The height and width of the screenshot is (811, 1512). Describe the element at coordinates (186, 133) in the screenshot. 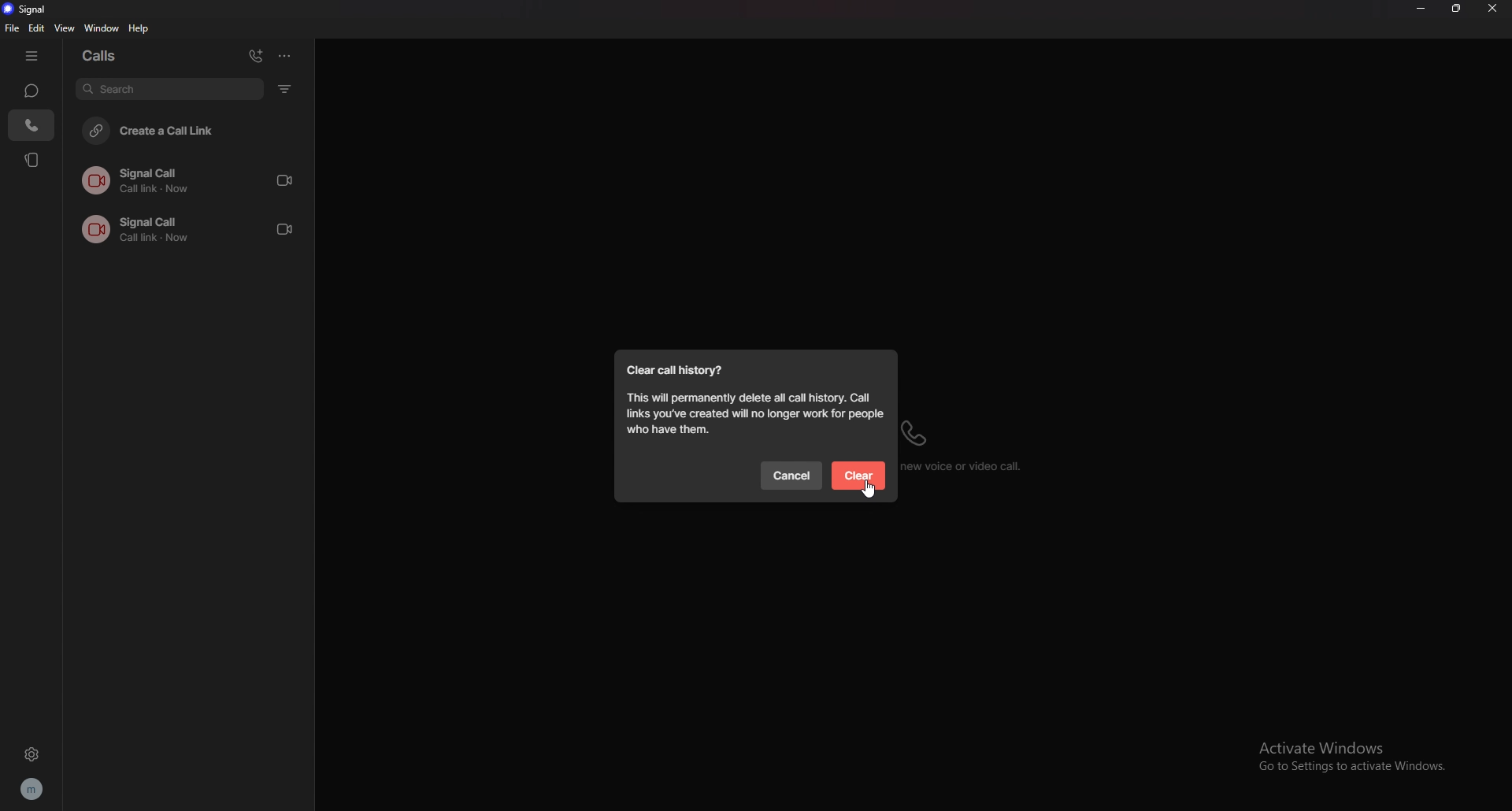

I see `create call link` at that location.